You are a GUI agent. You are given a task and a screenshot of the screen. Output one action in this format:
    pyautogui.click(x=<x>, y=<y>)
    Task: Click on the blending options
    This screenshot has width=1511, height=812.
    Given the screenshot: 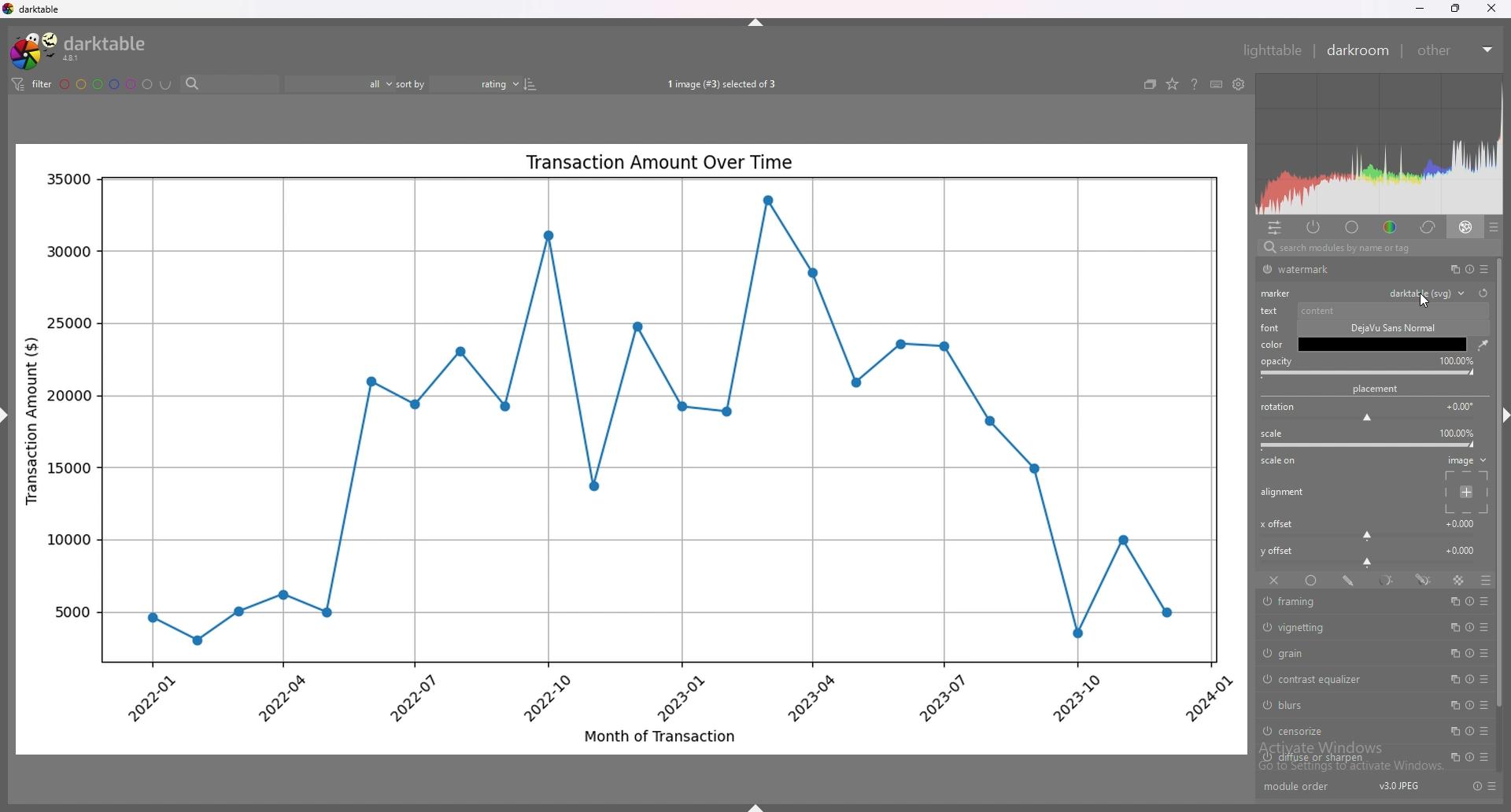 What is the action you would take?
    pyautogui.click(x=1484, y=580)
    